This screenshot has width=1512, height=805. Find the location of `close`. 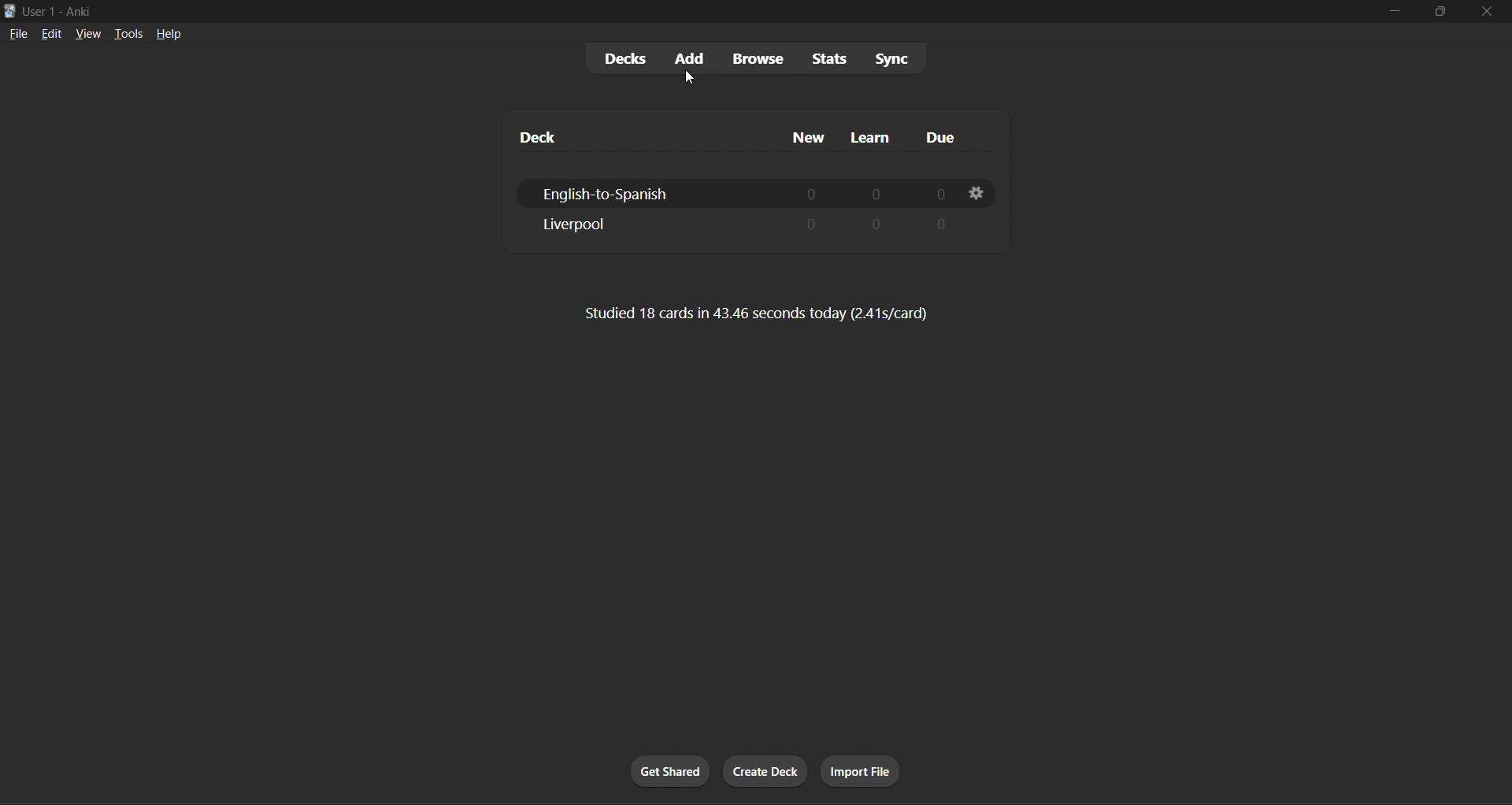

close is located at coordinates (1485, 13).